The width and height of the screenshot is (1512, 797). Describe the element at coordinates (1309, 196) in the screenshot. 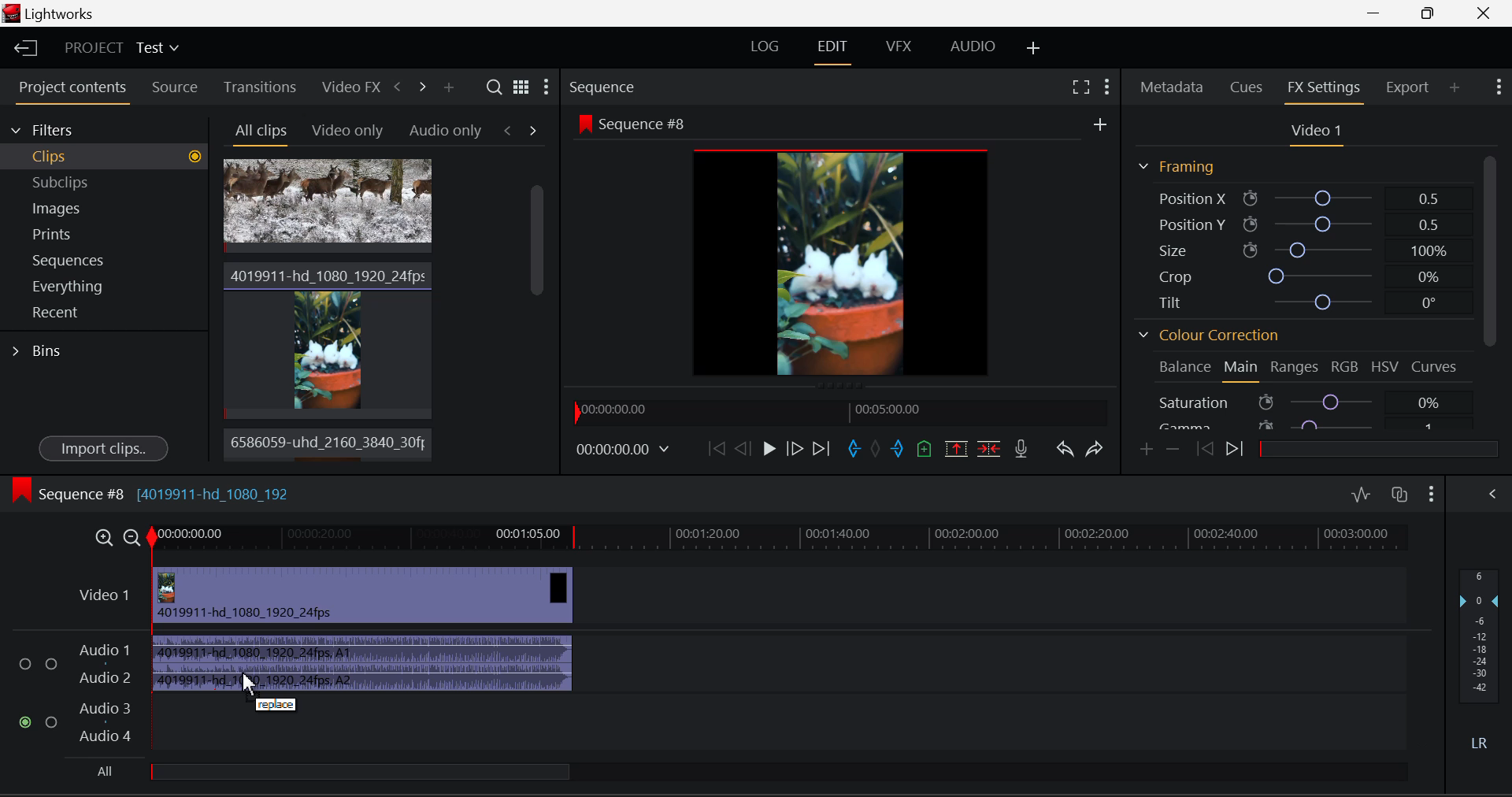

I see `Position X` at that location.